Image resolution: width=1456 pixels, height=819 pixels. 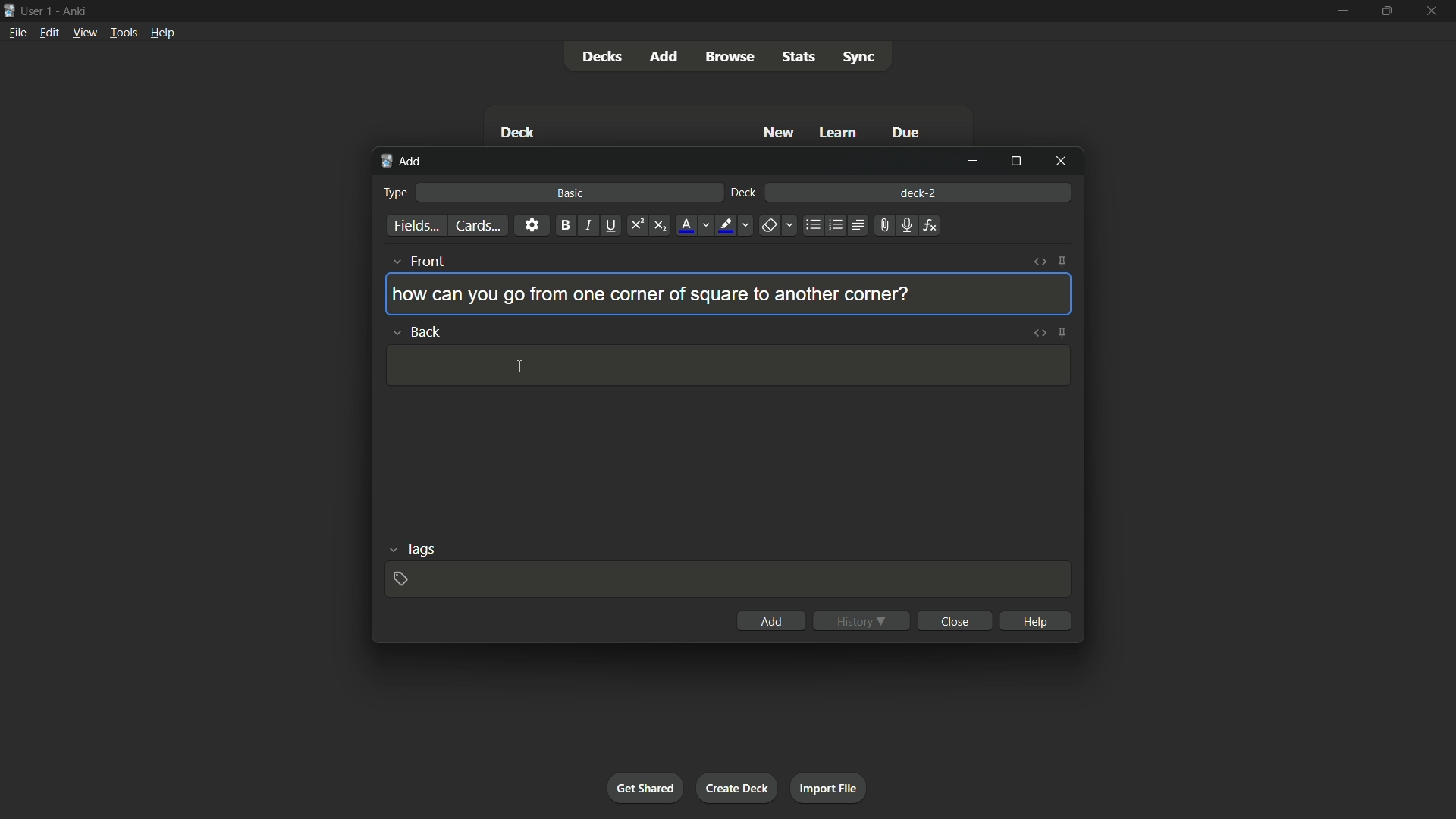 I want to click on history, so click(x=861, y=620).